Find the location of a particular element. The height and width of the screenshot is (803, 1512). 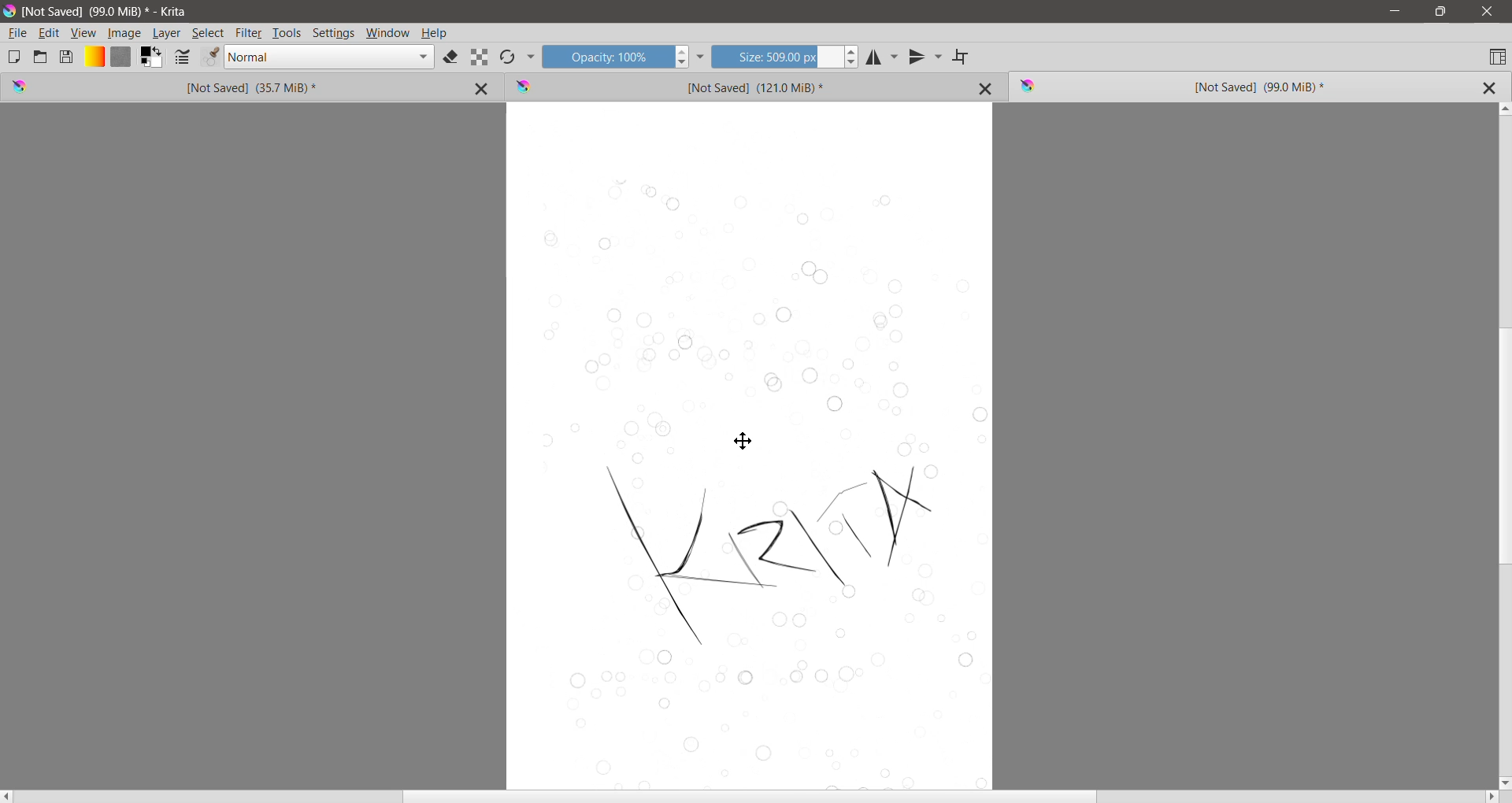

Preserve Alpha is located at coordinates (480, 57).